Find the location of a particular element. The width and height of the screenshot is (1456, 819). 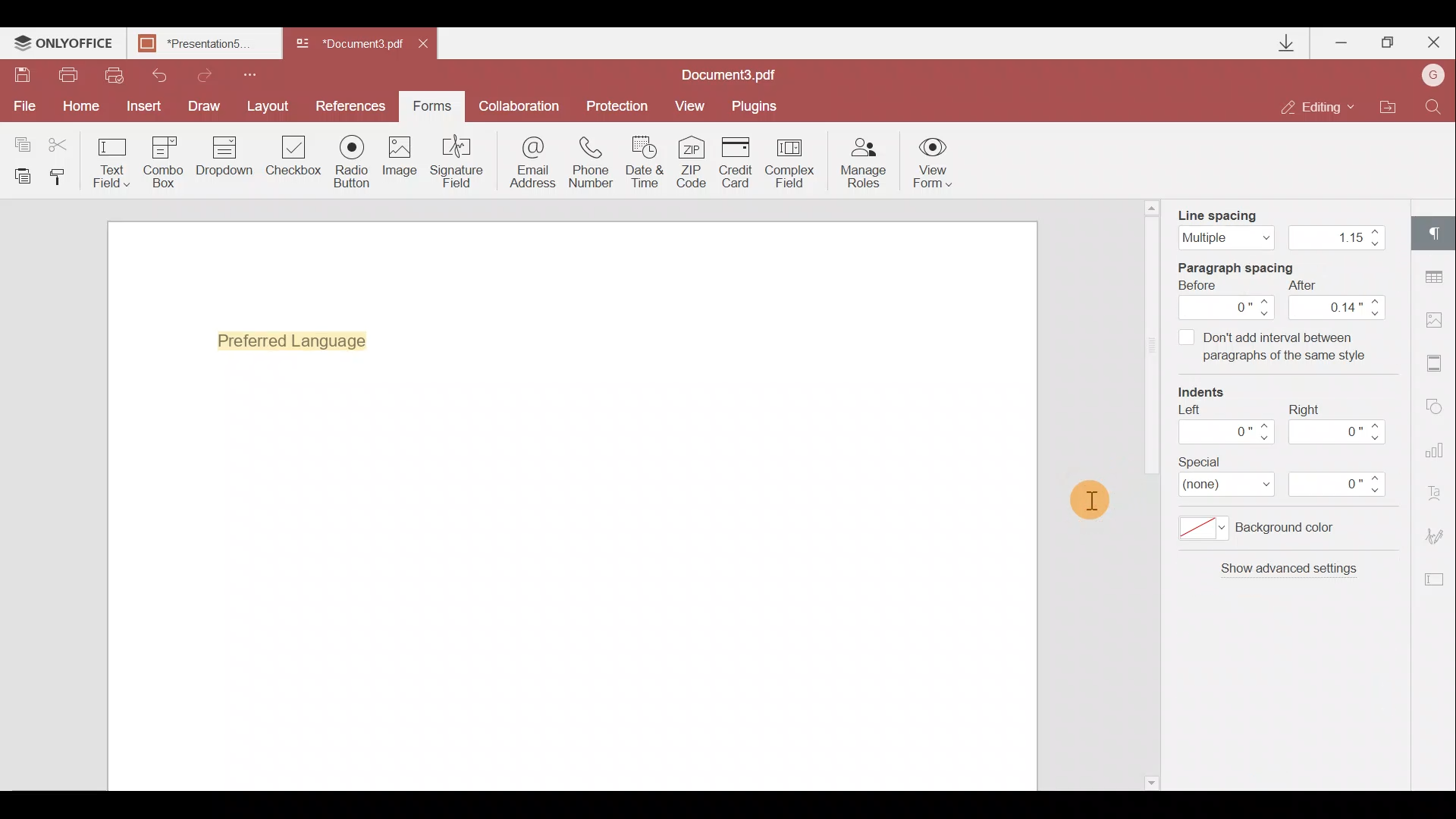

Signature field is located at coordinates (453, 161).